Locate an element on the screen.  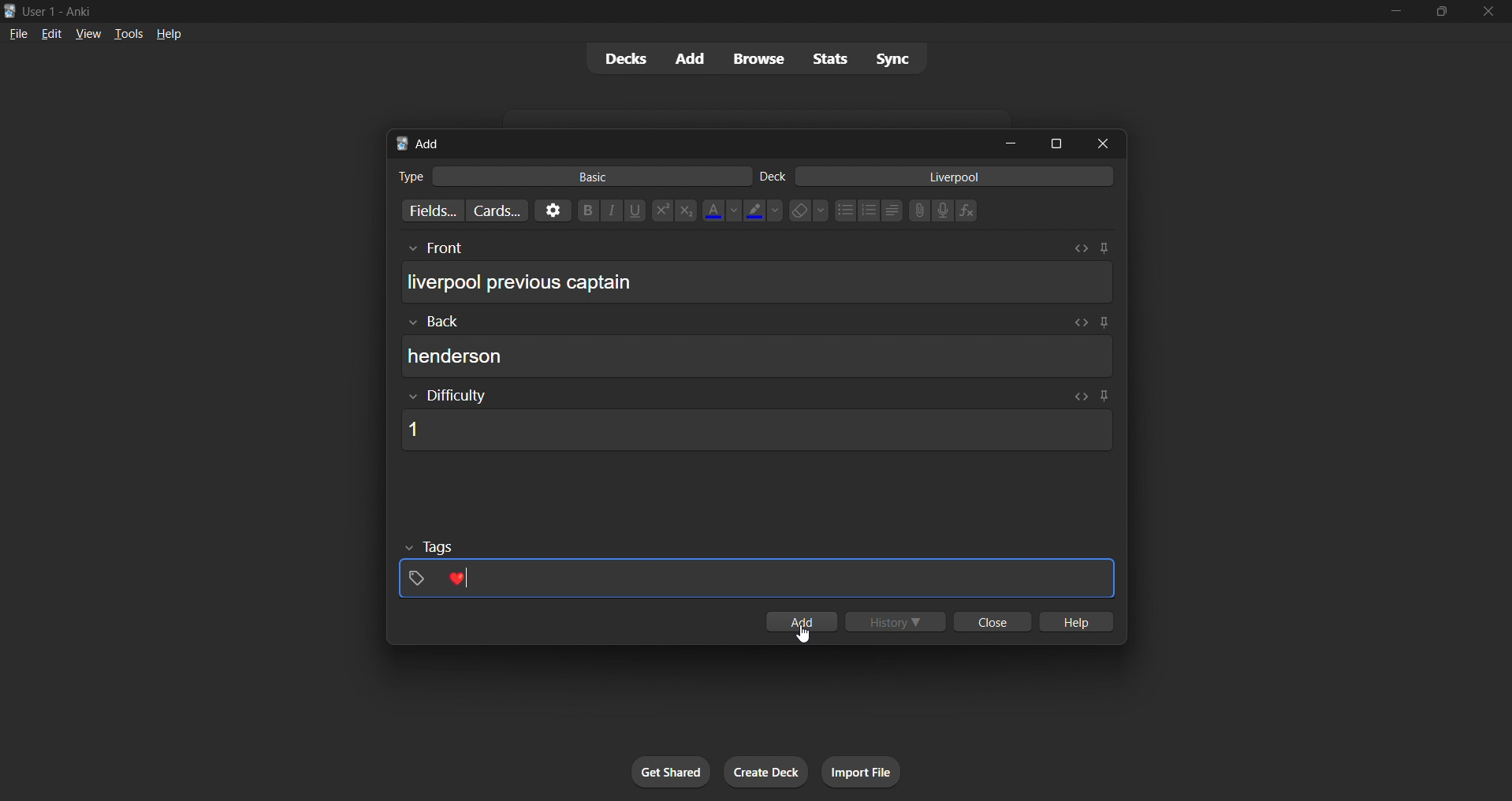
help is located at coordinates (171, 32).